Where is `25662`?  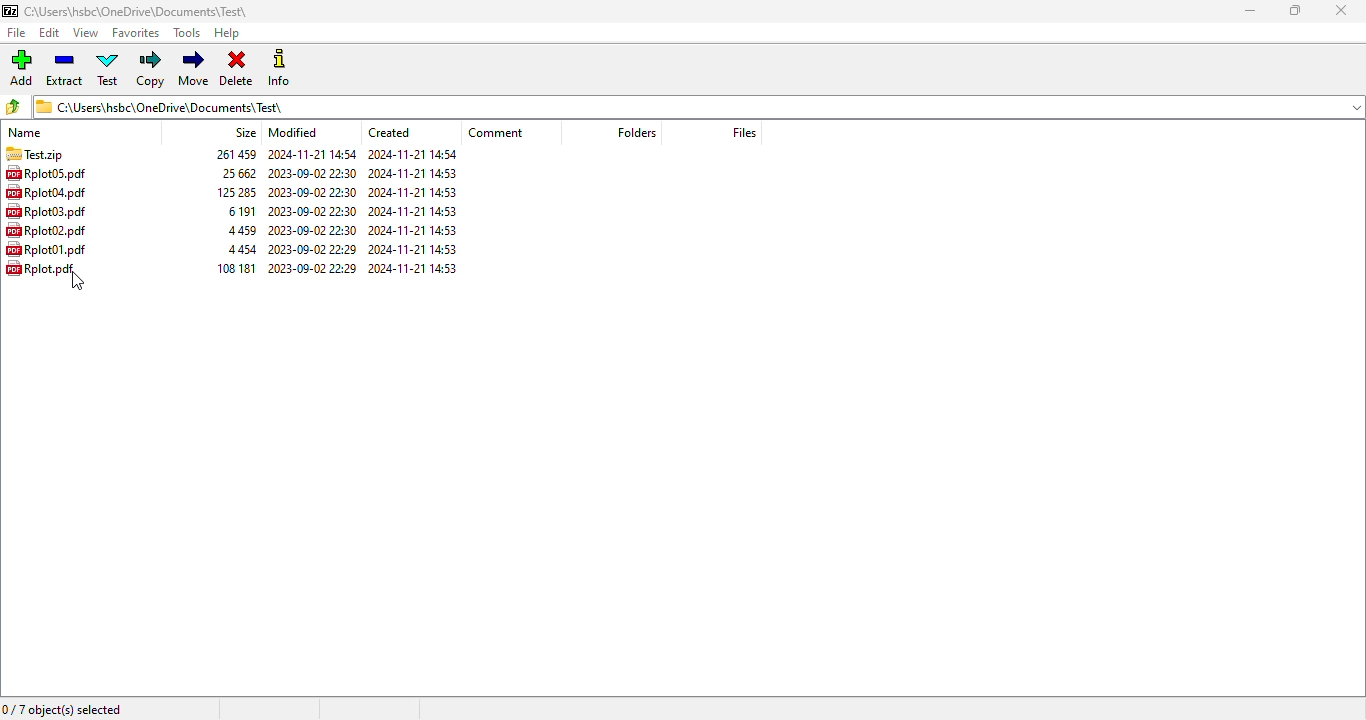 25662 is located at coordinates (231, 173).